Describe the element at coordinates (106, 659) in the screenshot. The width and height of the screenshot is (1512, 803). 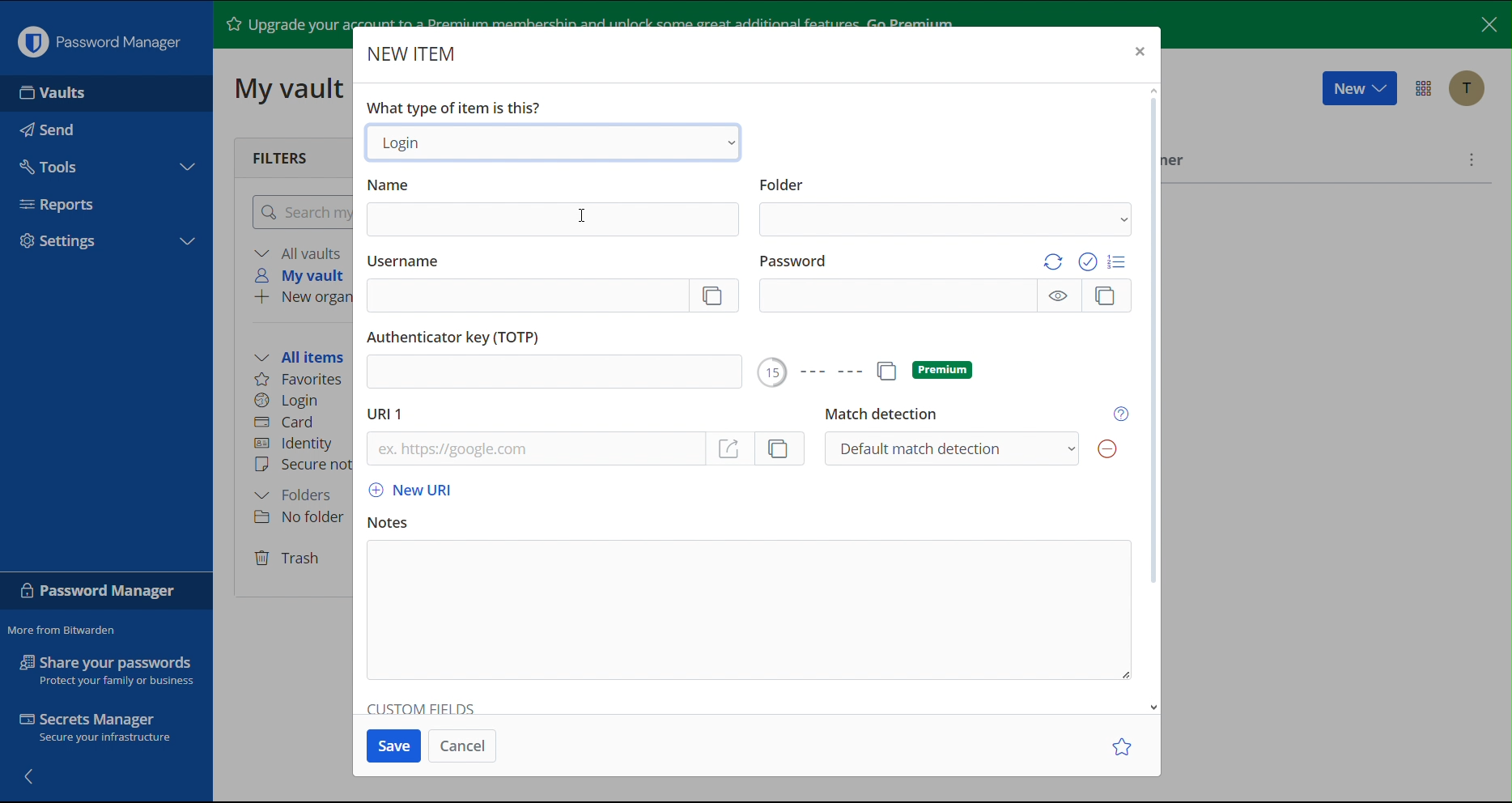
I see `Share your passwords` at that location.